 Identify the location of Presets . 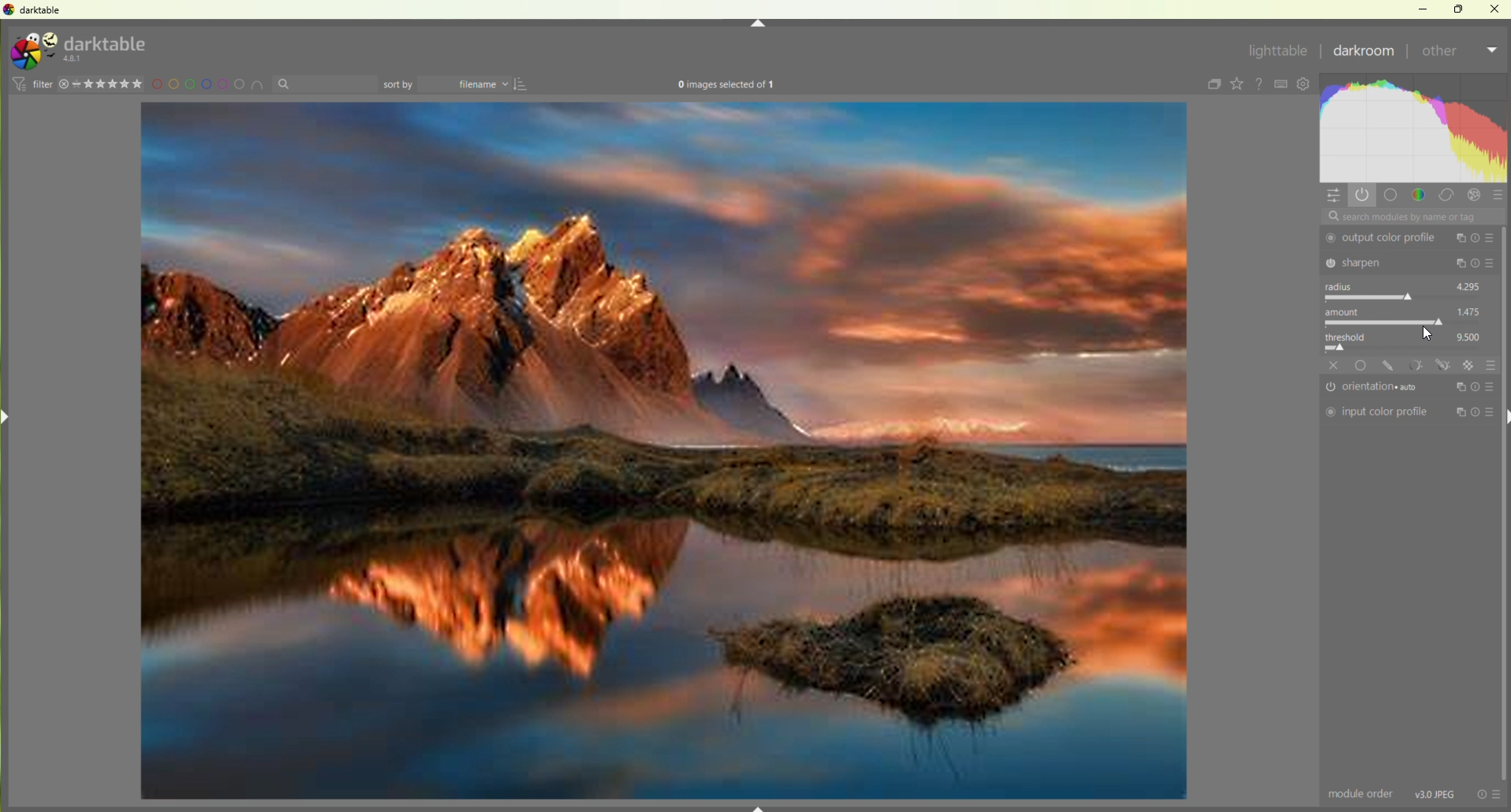
(1491, 364).